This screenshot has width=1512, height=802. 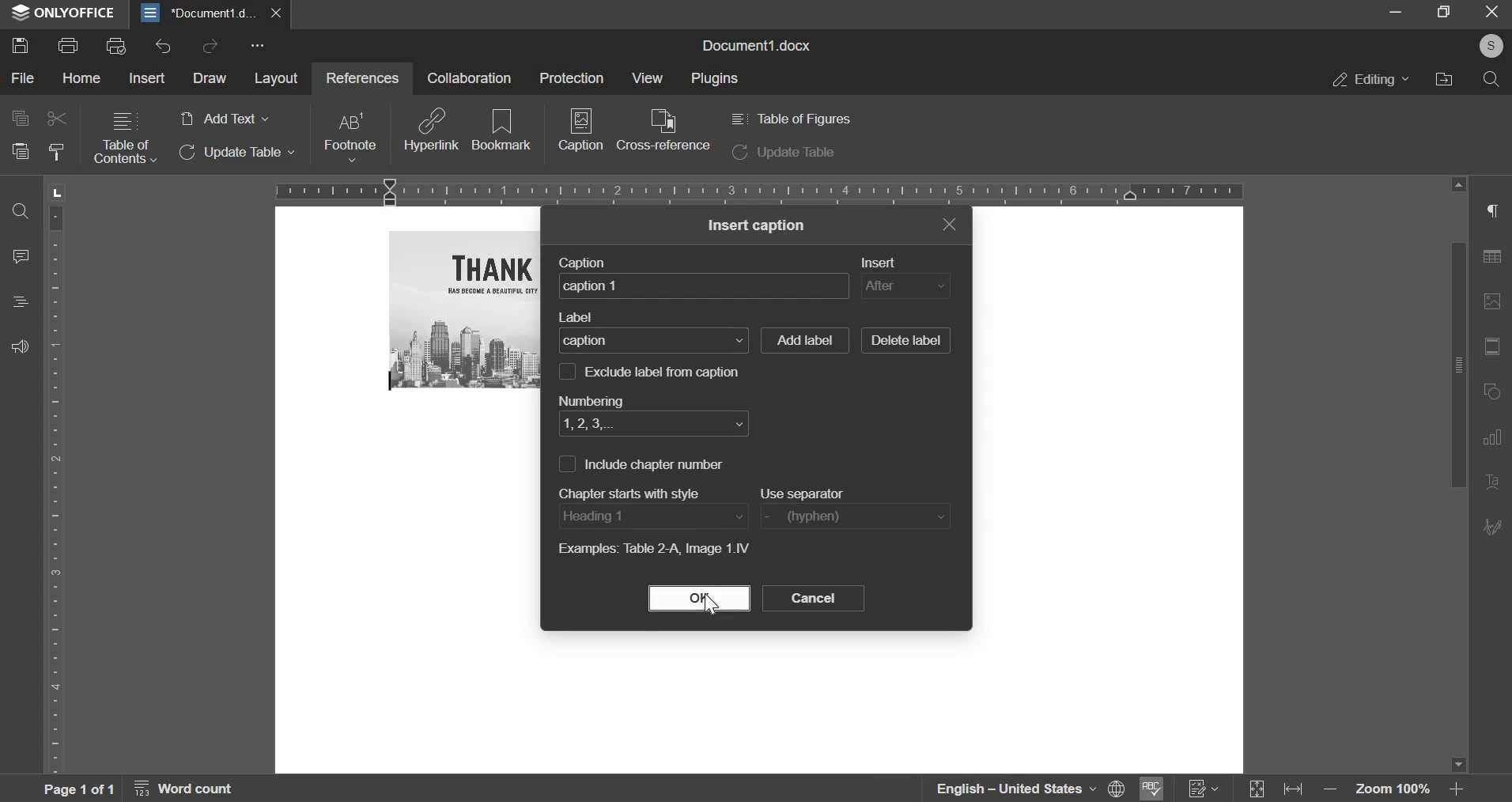 I want to click on table, so click(x=1497, y=260).